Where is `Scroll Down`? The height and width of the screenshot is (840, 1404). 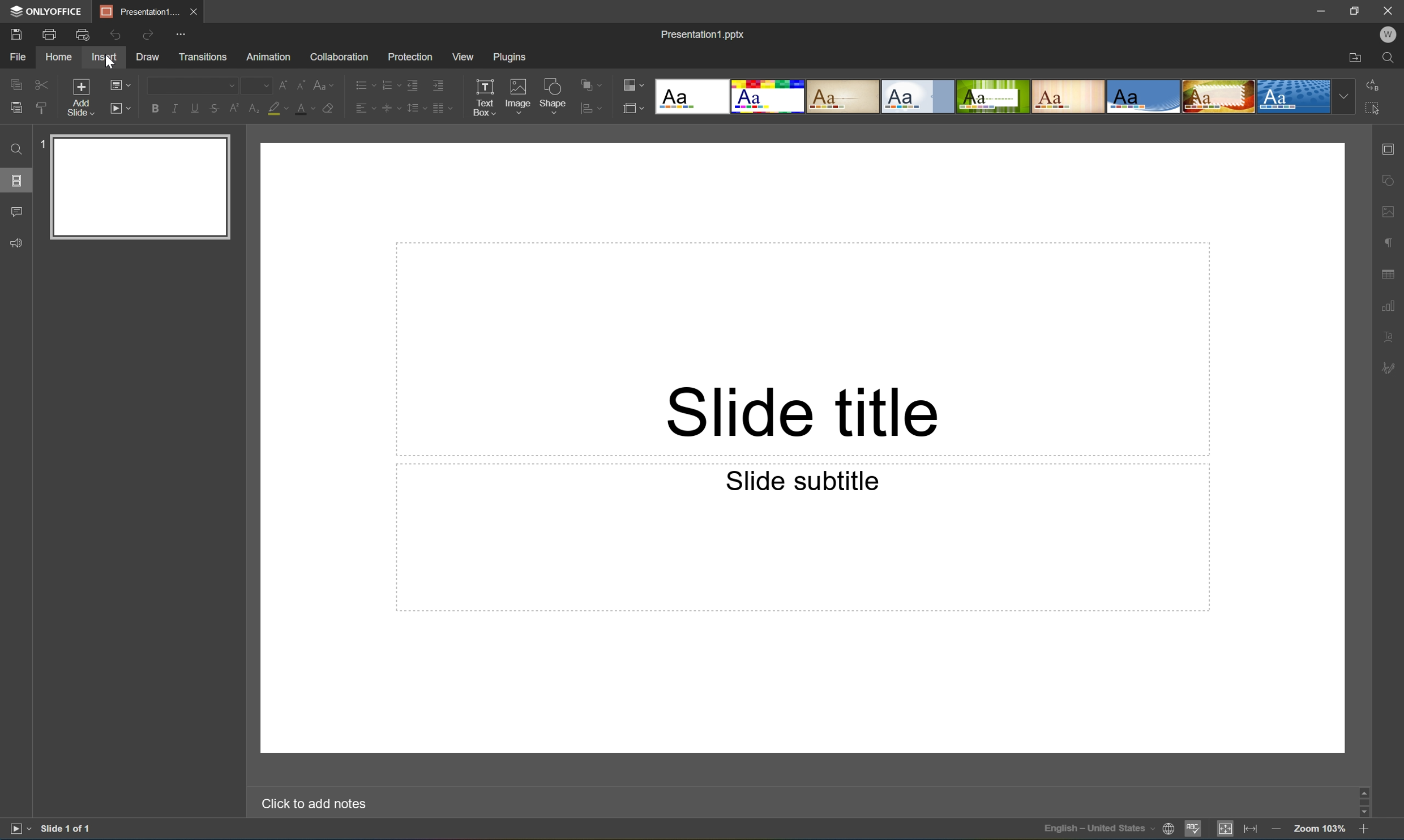 Scroll Down is located at coordinates (1364, 812).